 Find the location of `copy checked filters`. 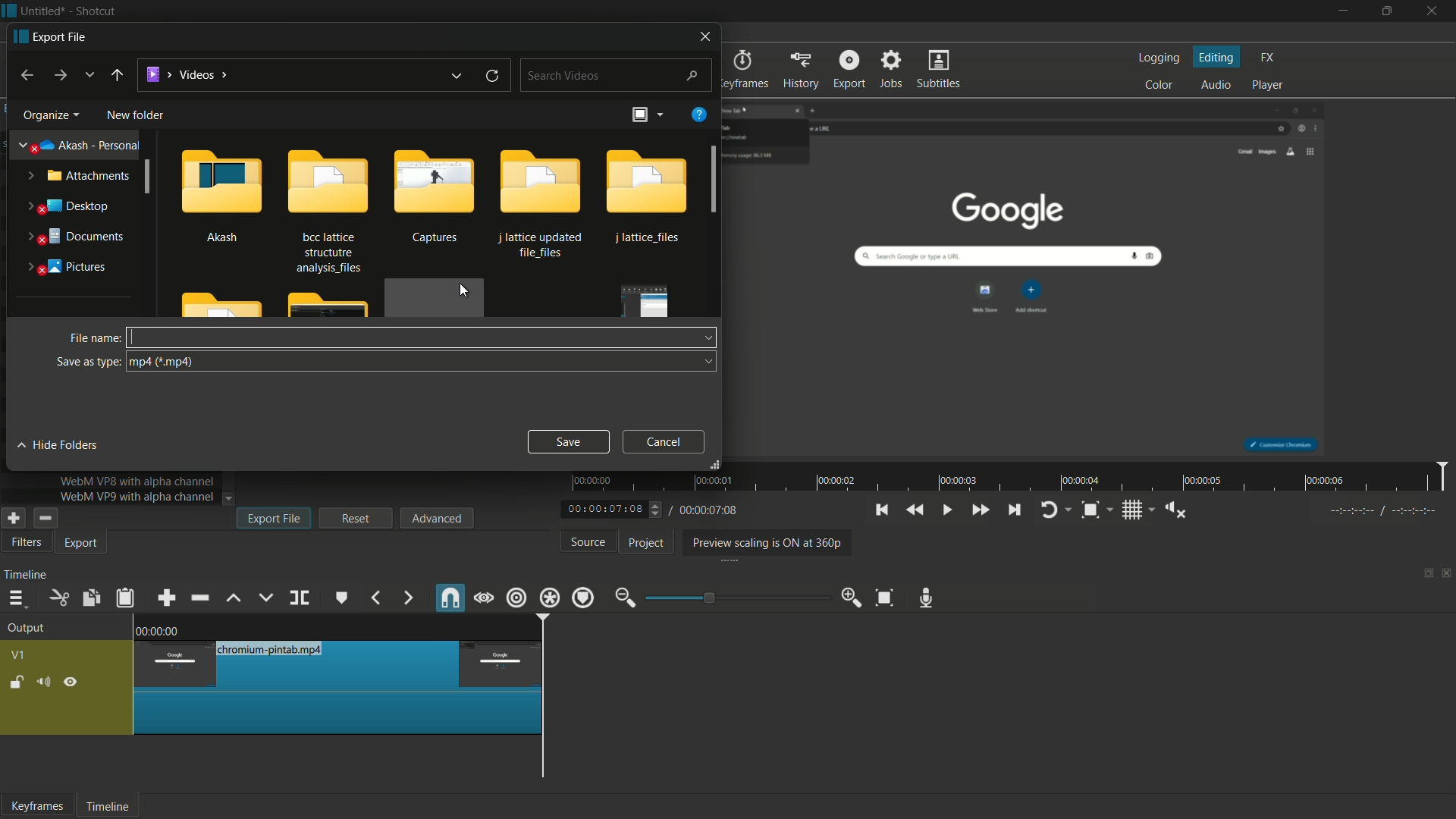

copy checked filters is located at coordinates (89, 599).